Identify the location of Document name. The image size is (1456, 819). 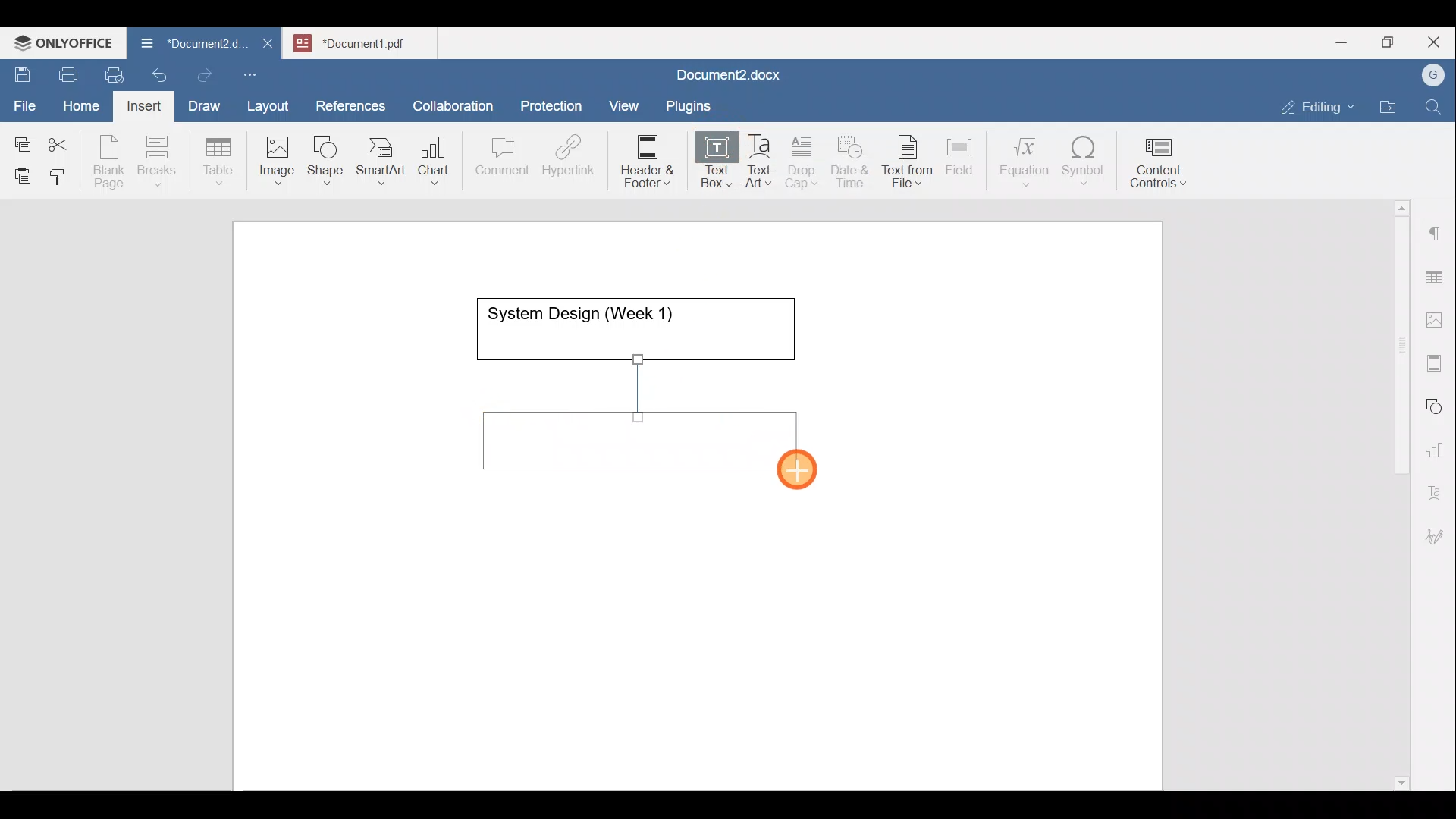
(725, 77).